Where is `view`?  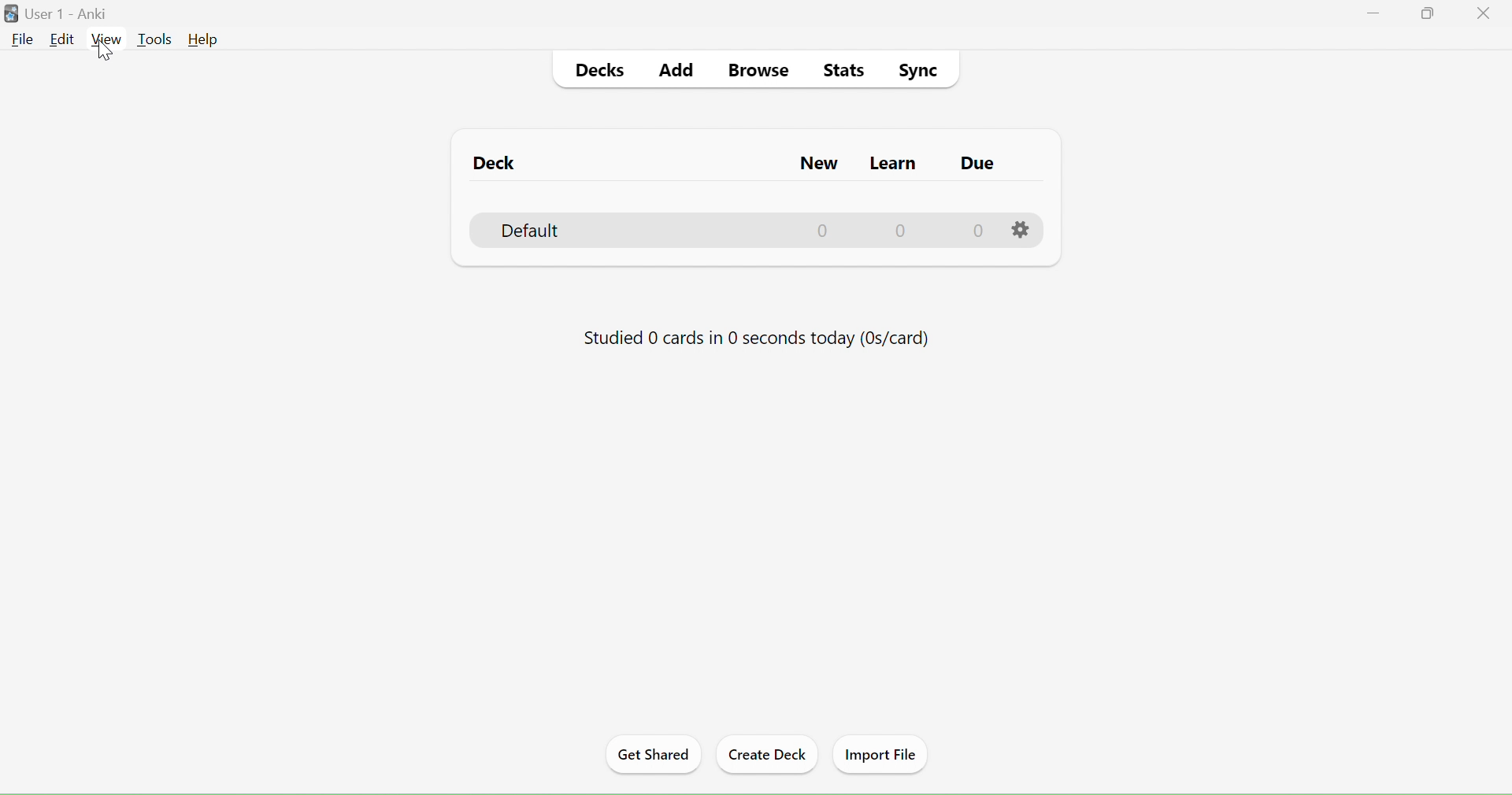
view is located at coordinates (105, 39).